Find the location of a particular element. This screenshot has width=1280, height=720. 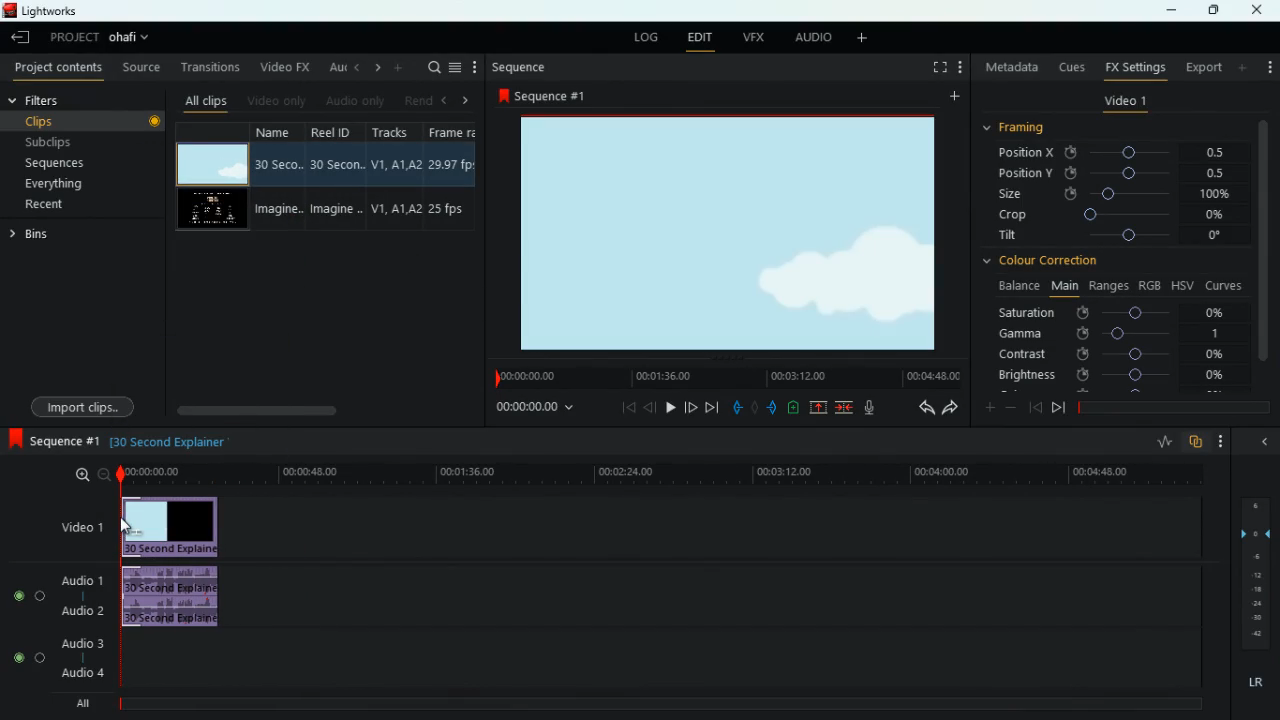

video only is located at coordinates (274, 101).